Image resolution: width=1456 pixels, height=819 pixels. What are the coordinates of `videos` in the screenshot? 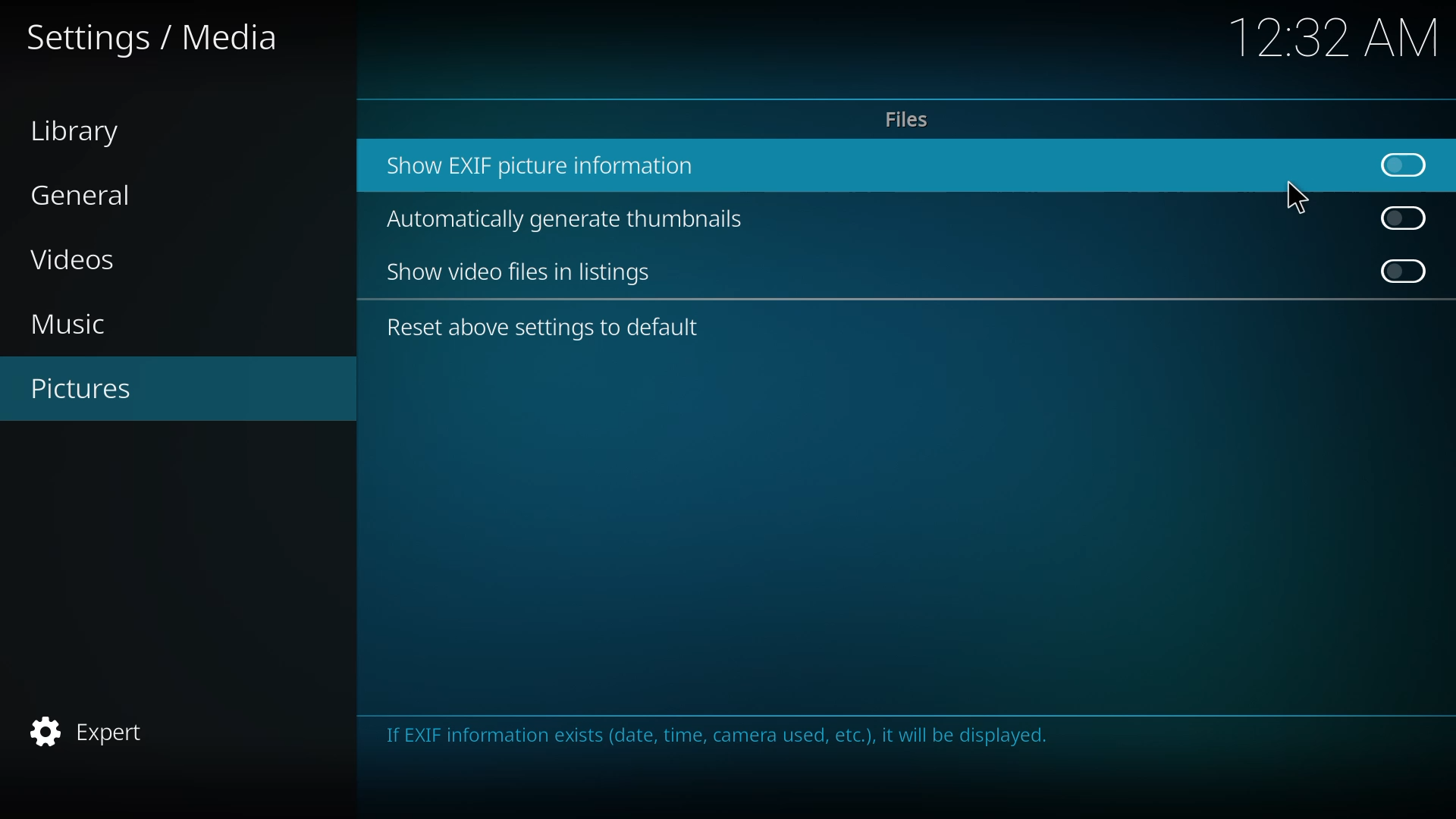 It's located at (80, 257).